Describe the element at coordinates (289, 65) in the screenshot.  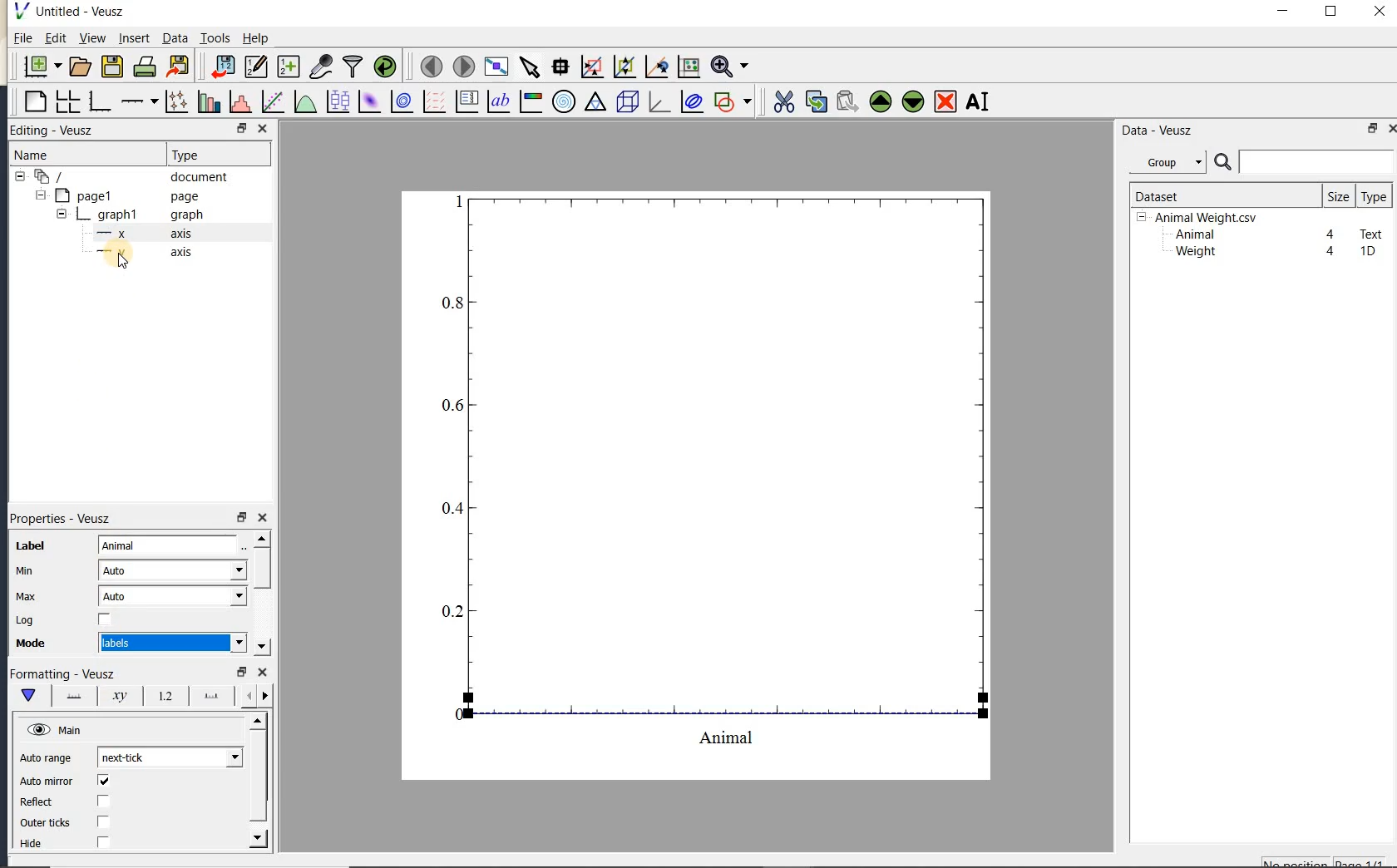
I see `create new datasets` at that location.